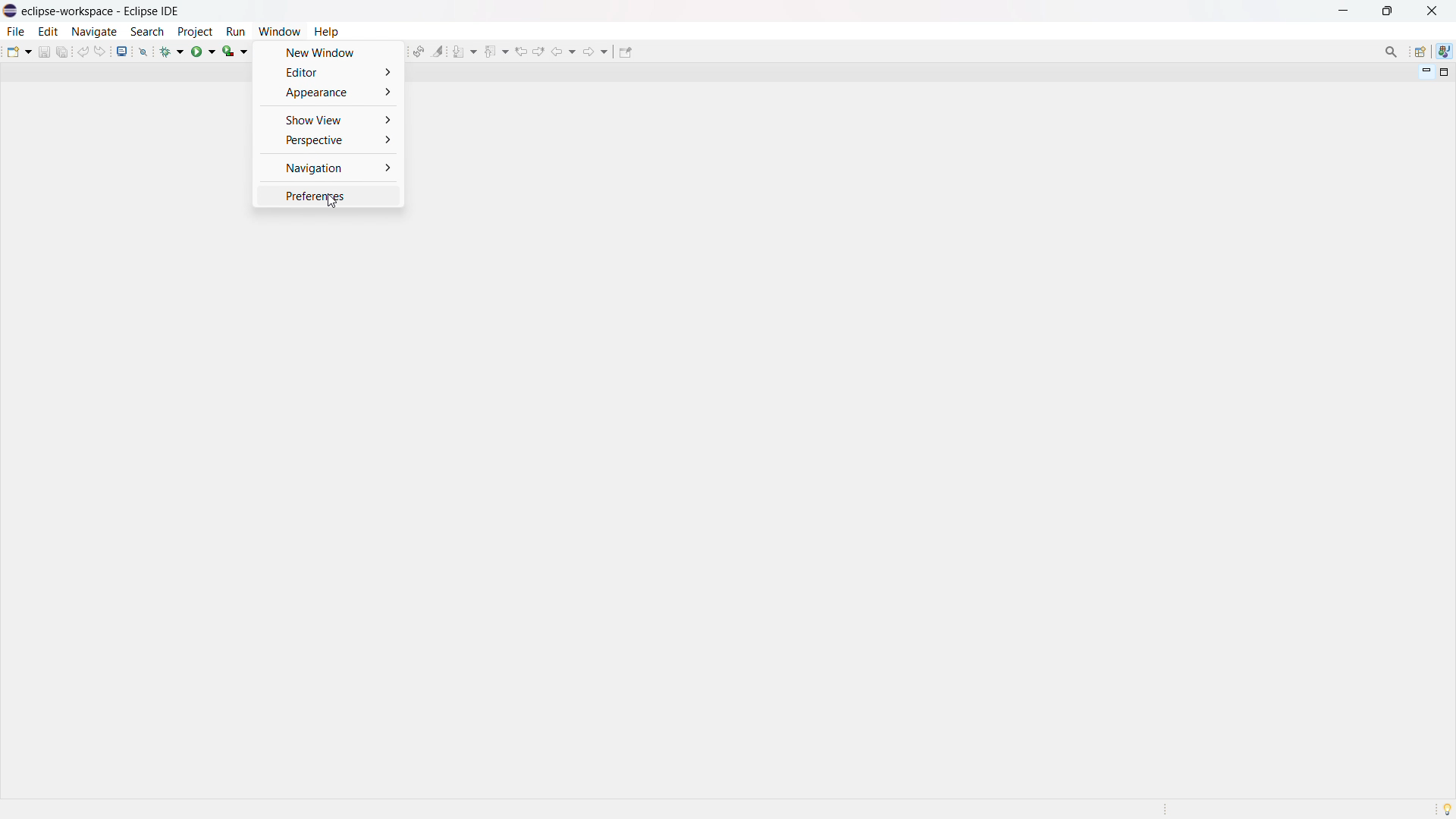 Image resolution: width=1456 pixels, height=819 pixels. What do you see at coordinates (1445, 72) in the screenshot?
I see `maximize view` at bounding box center [1445, 72].